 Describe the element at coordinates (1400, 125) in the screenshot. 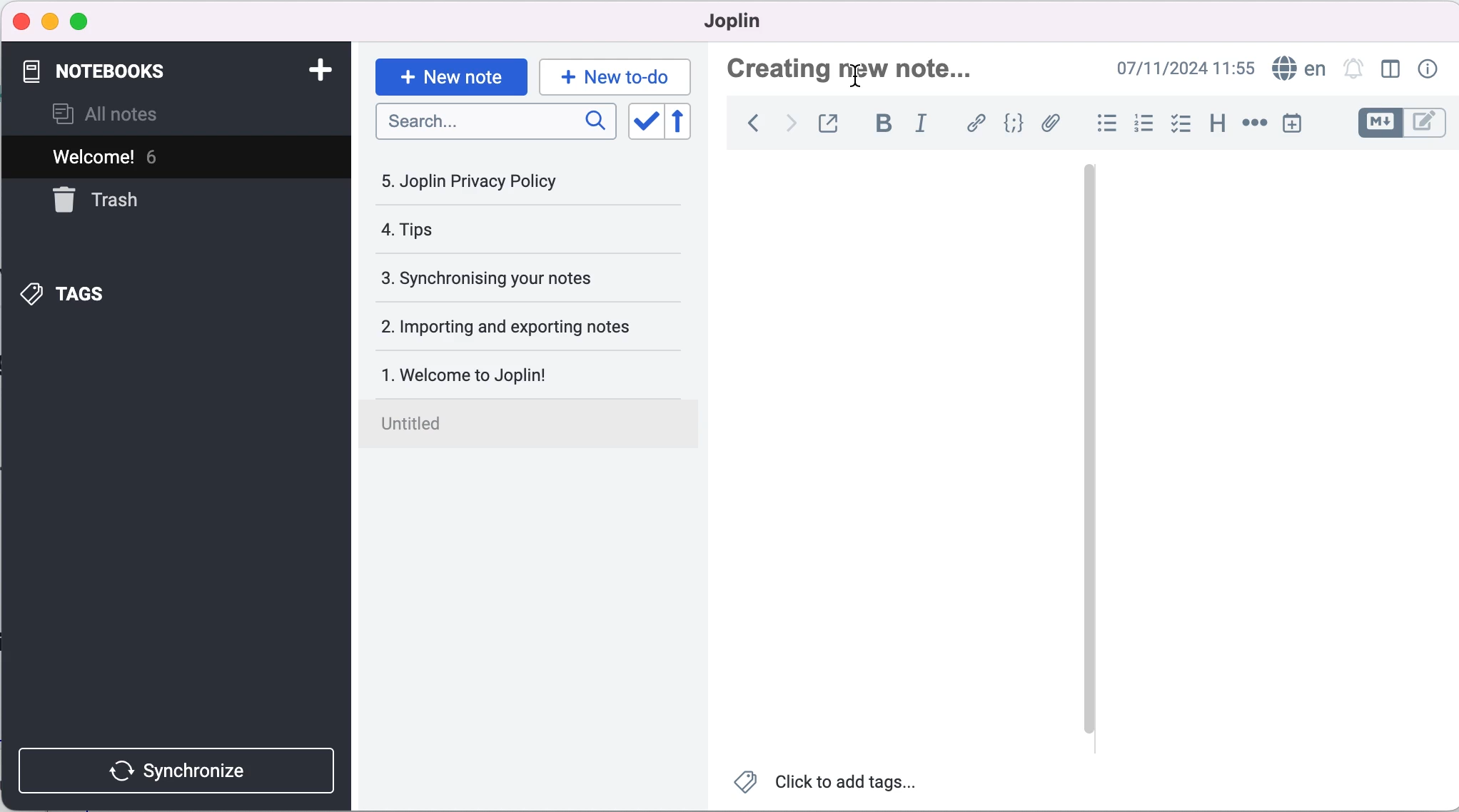

I see `toggle editors` at that location.